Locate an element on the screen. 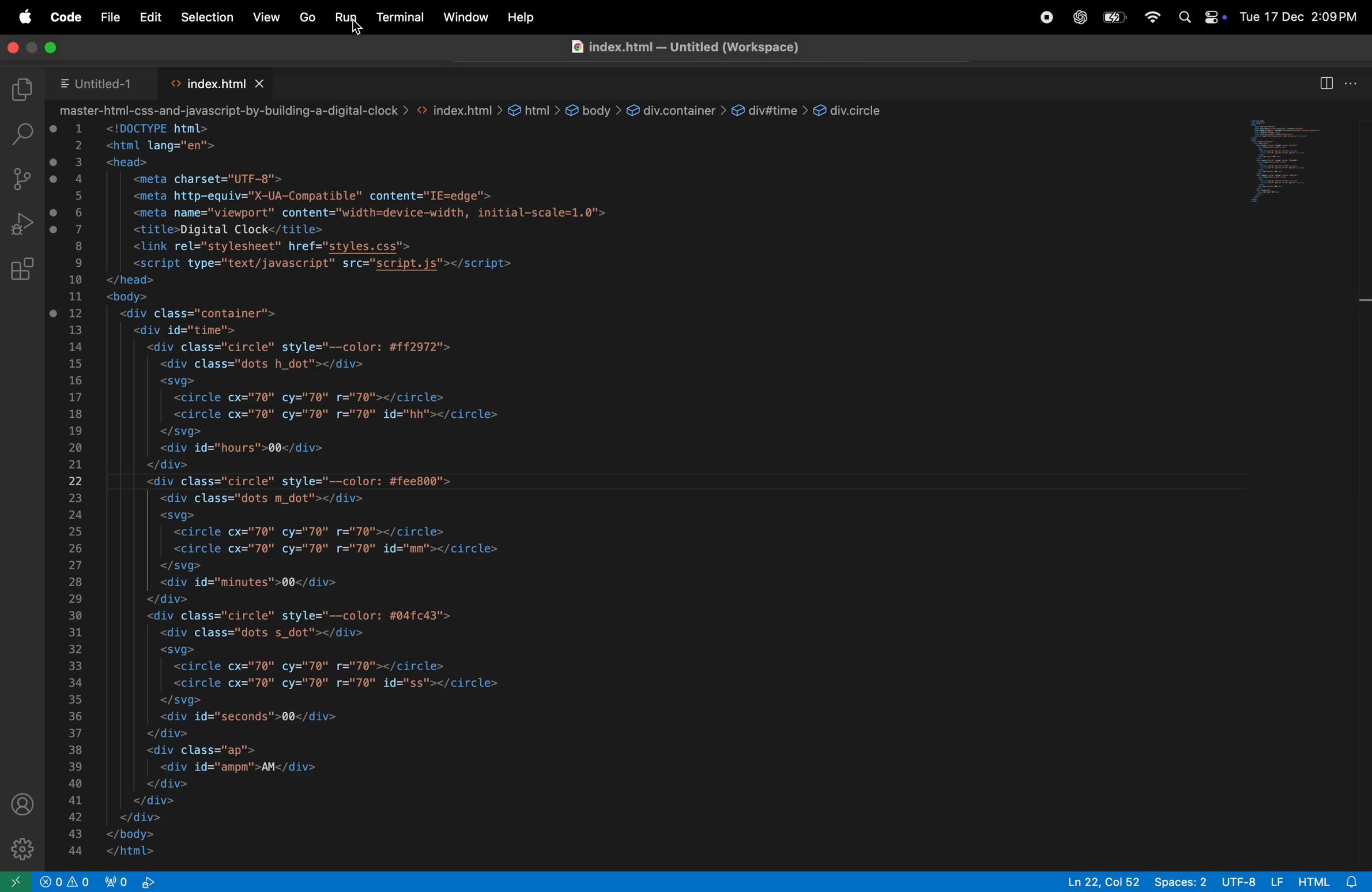  wifi is located at coordinates (1150, 17).